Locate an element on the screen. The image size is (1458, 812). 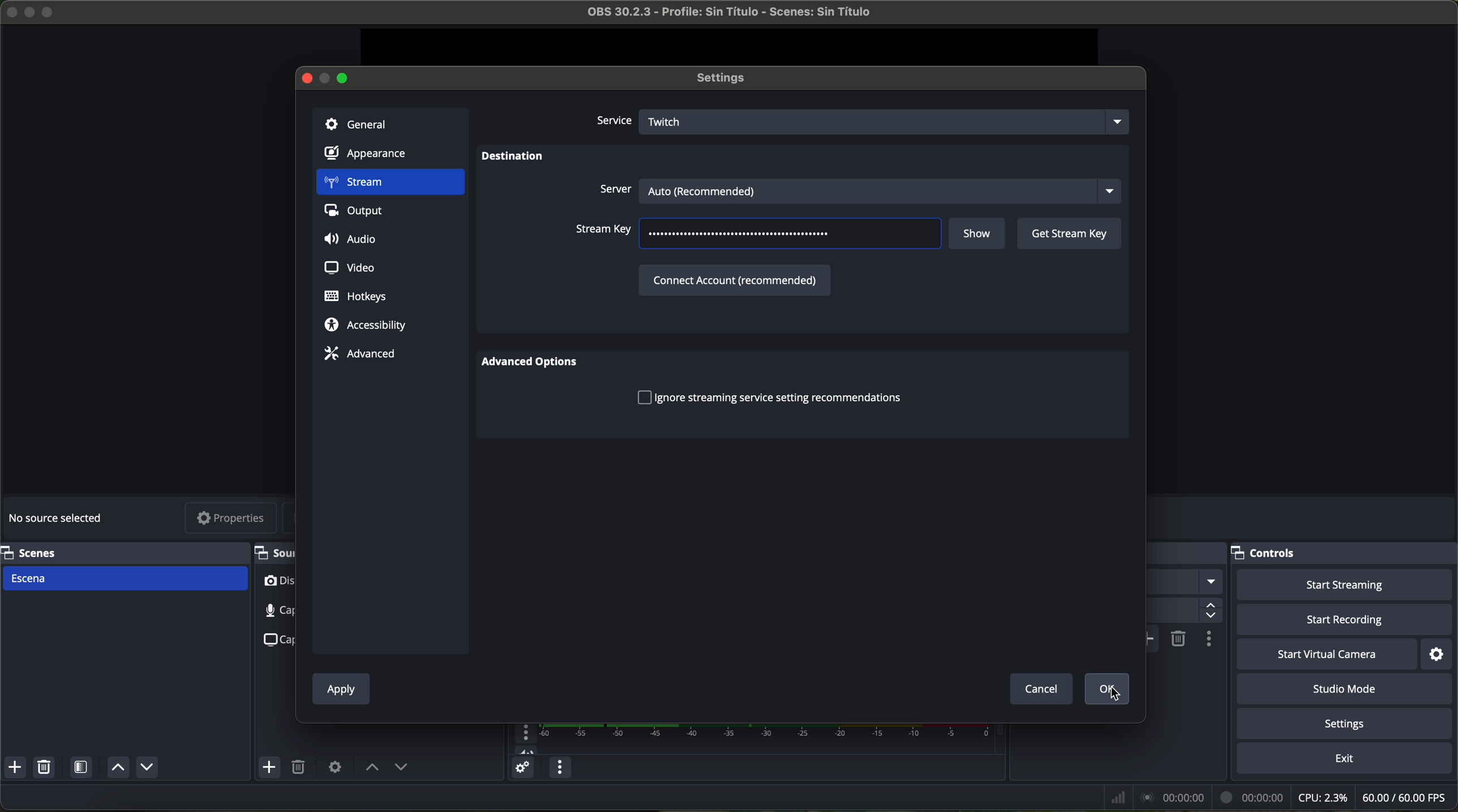
general is located at coordinates (390, 123).